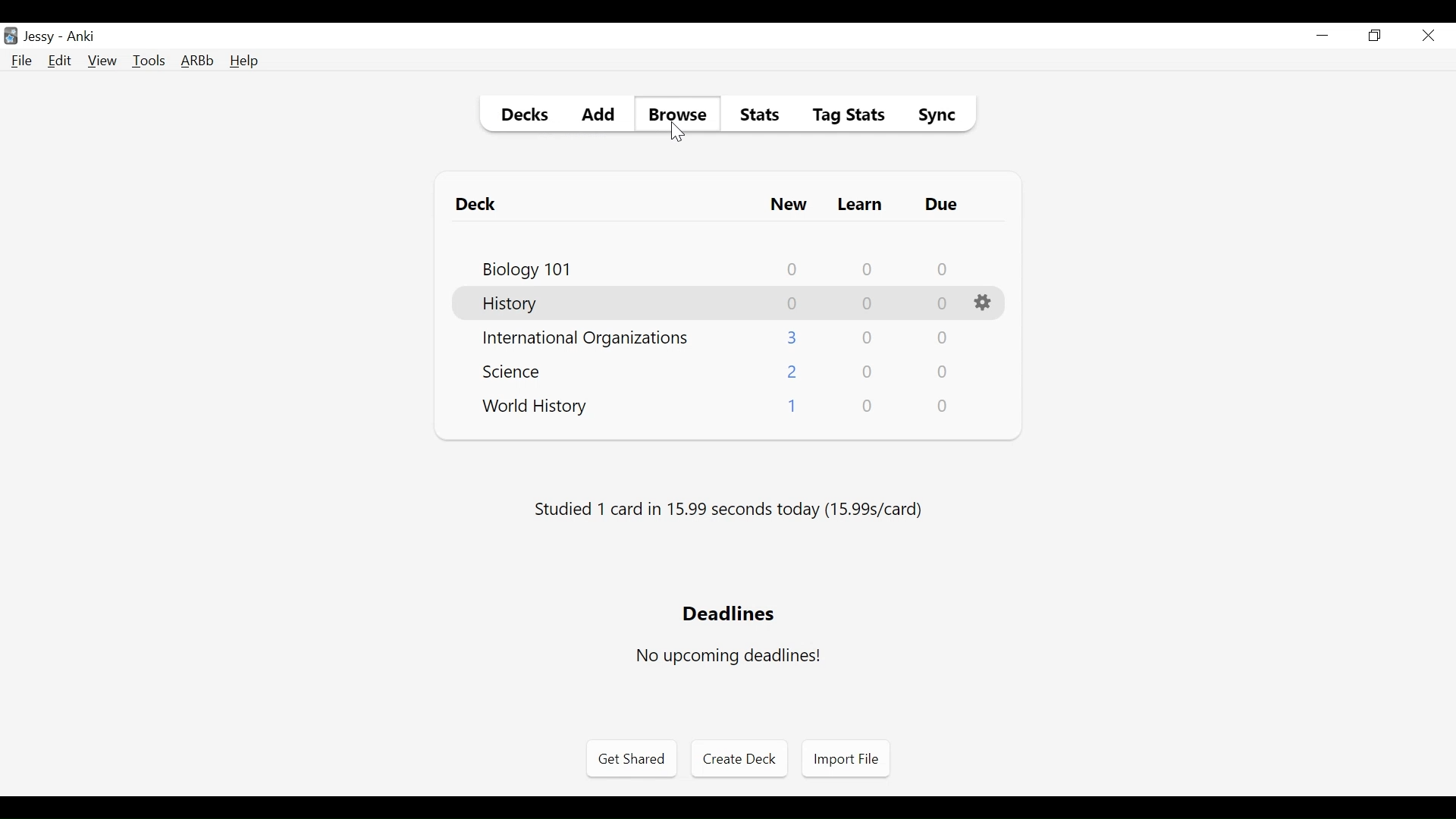 The height and width of the screenshot is (819, 1456). Describe the element at coordinates (199, 60) in the screenshot. I see `Advanced Review Button bar` at that location.